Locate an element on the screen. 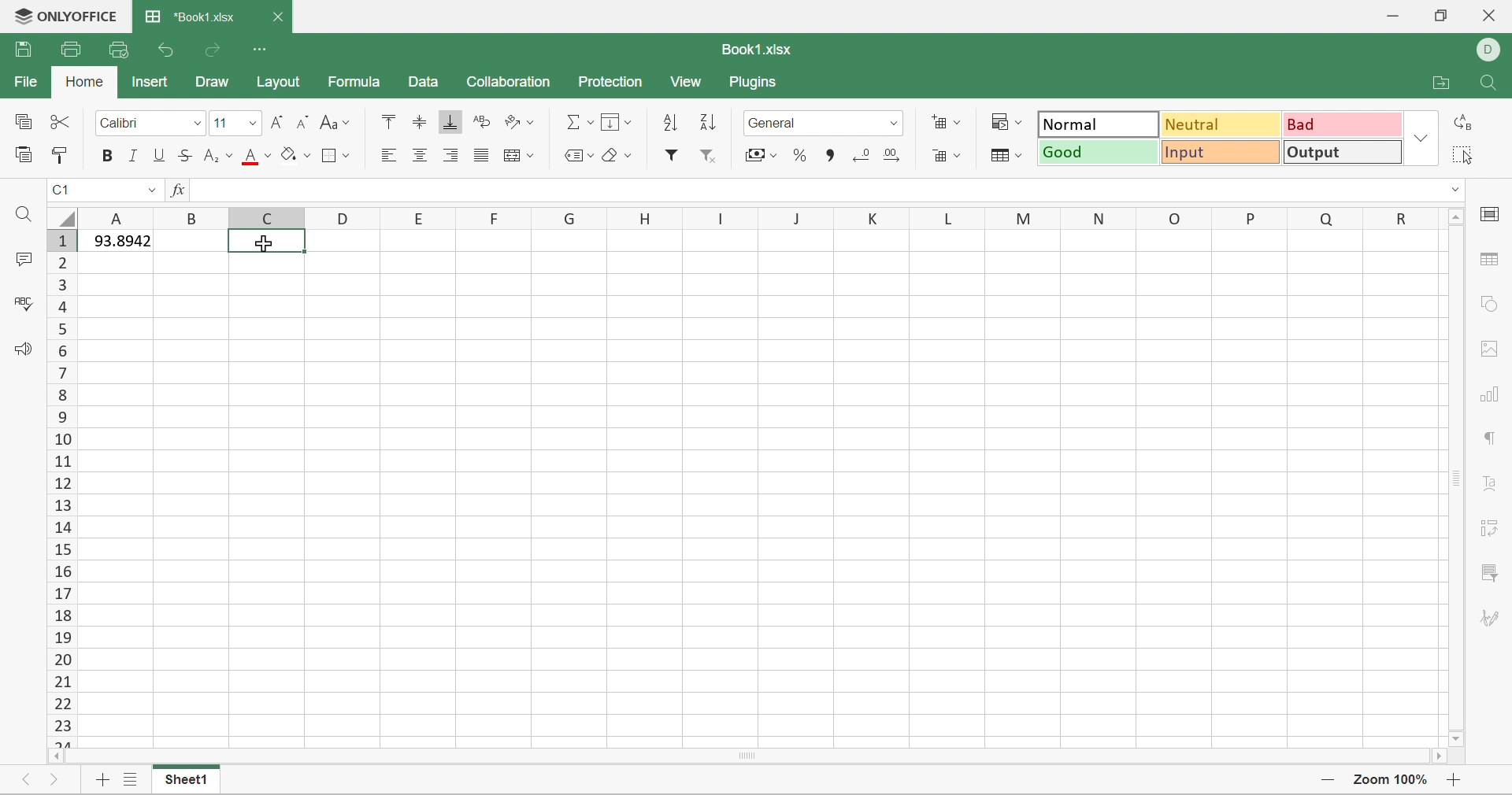 The image size is (1512, 795). Close is located at coordinates (278, 17).